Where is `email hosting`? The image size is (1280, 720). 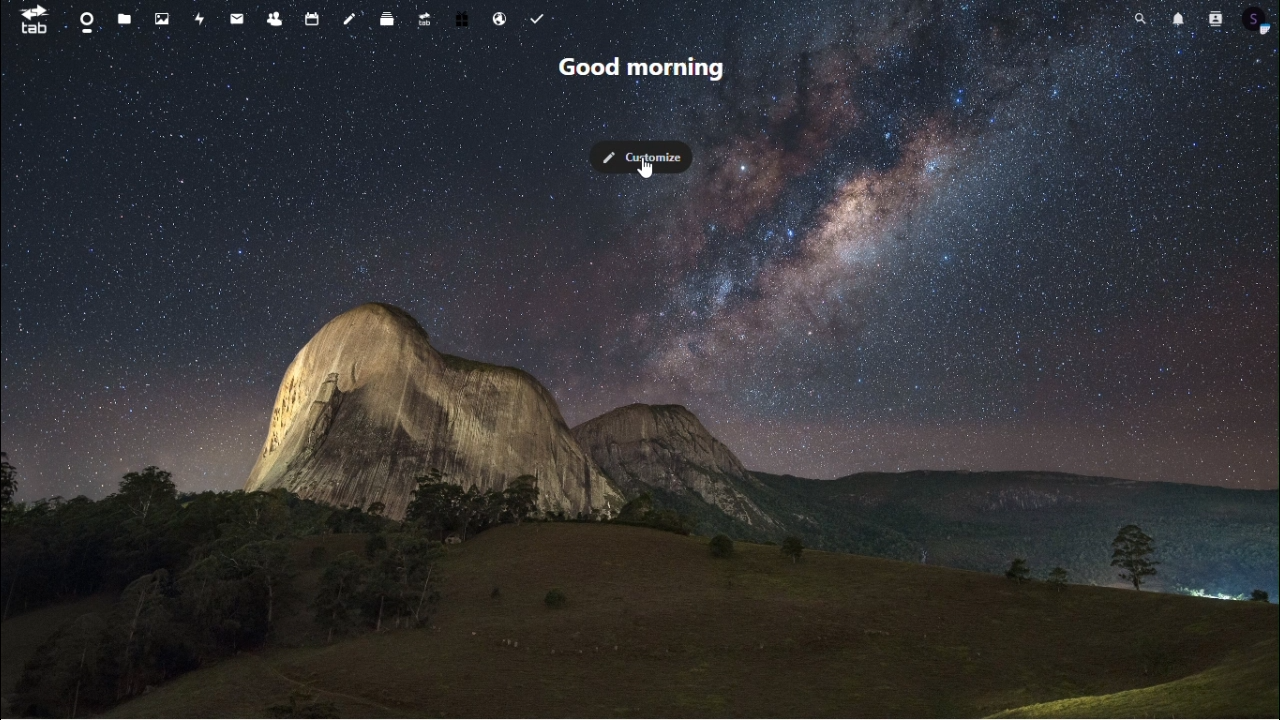 email hosting is located at coordinates (500, 22).